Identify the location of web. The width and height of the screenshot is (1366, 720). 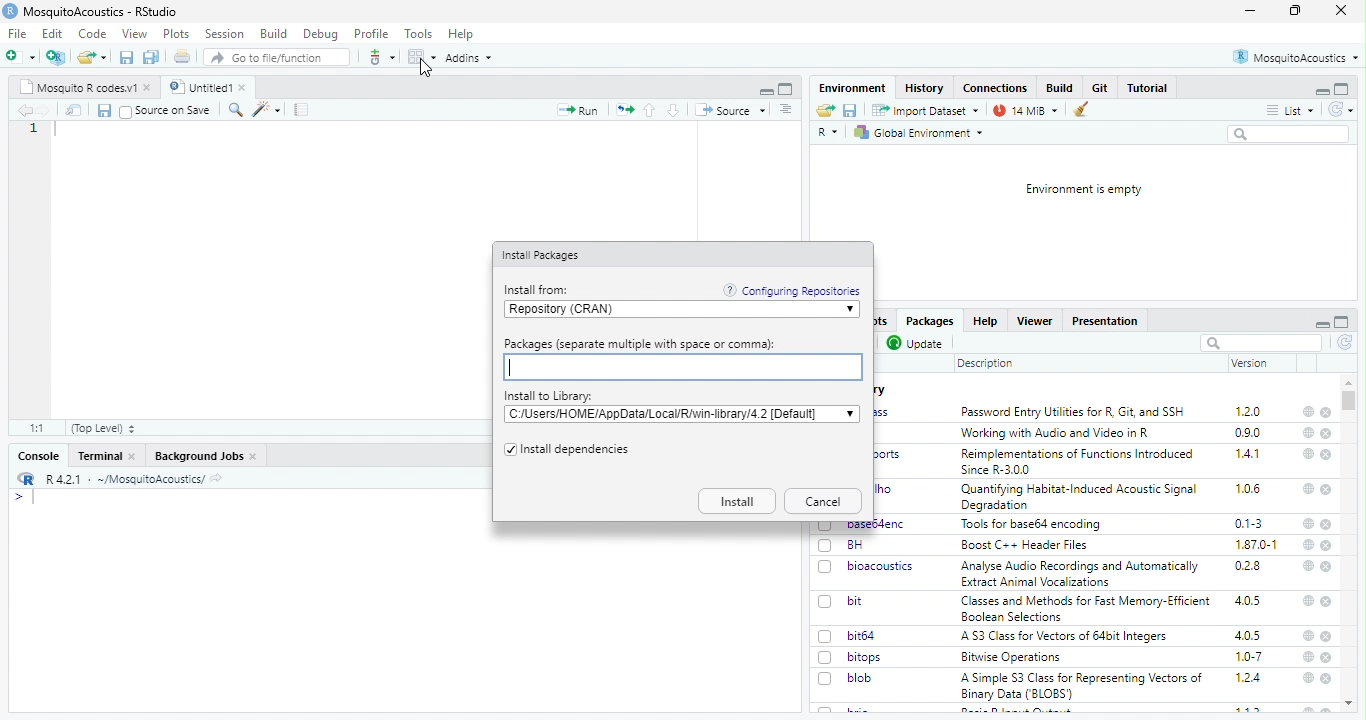
(1309, 412).